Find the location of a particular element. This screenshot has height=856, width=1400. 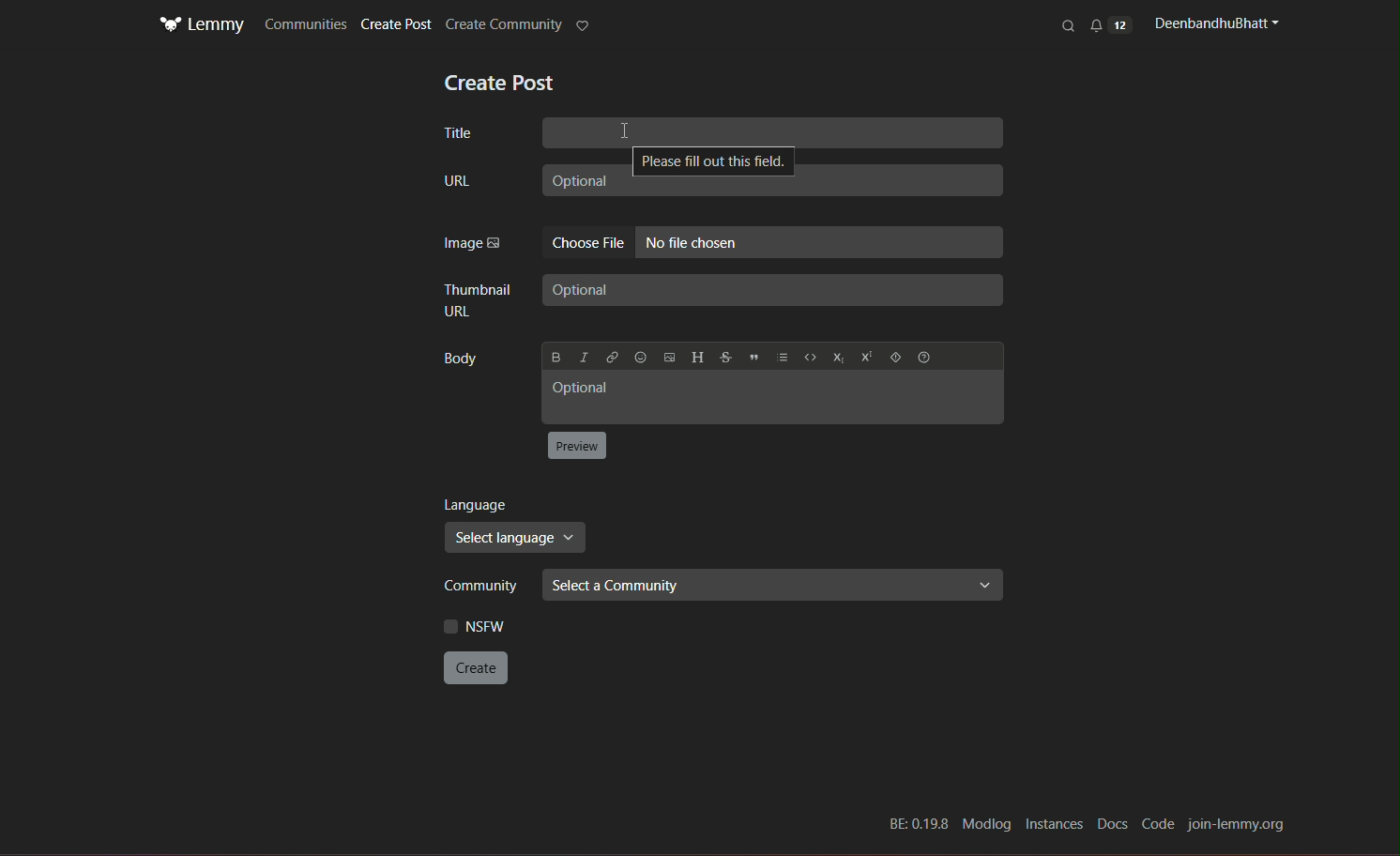

select language is located at coordinates (516, 539).